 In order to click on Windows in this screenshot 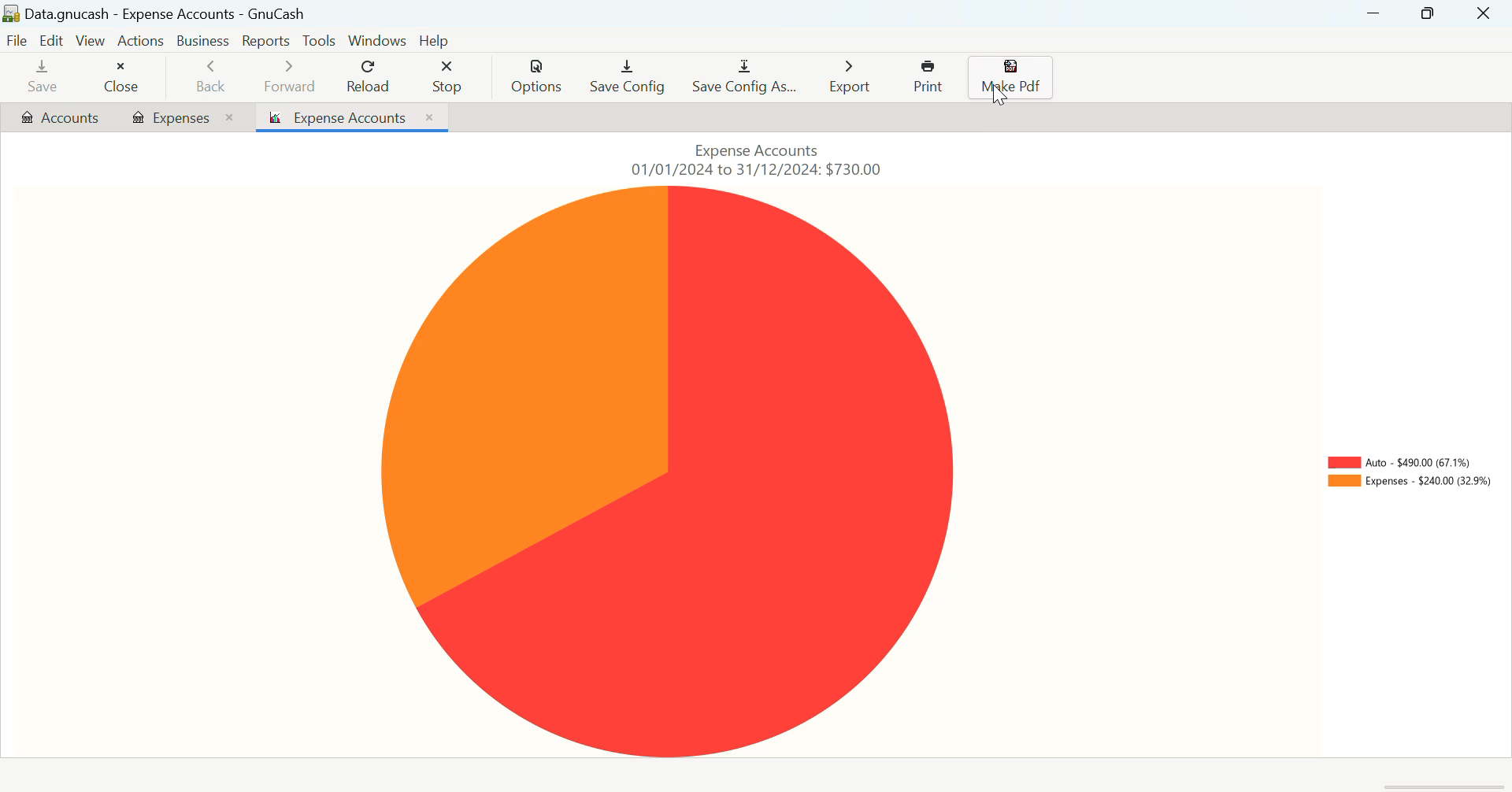, I will do `click(375, 40)`.